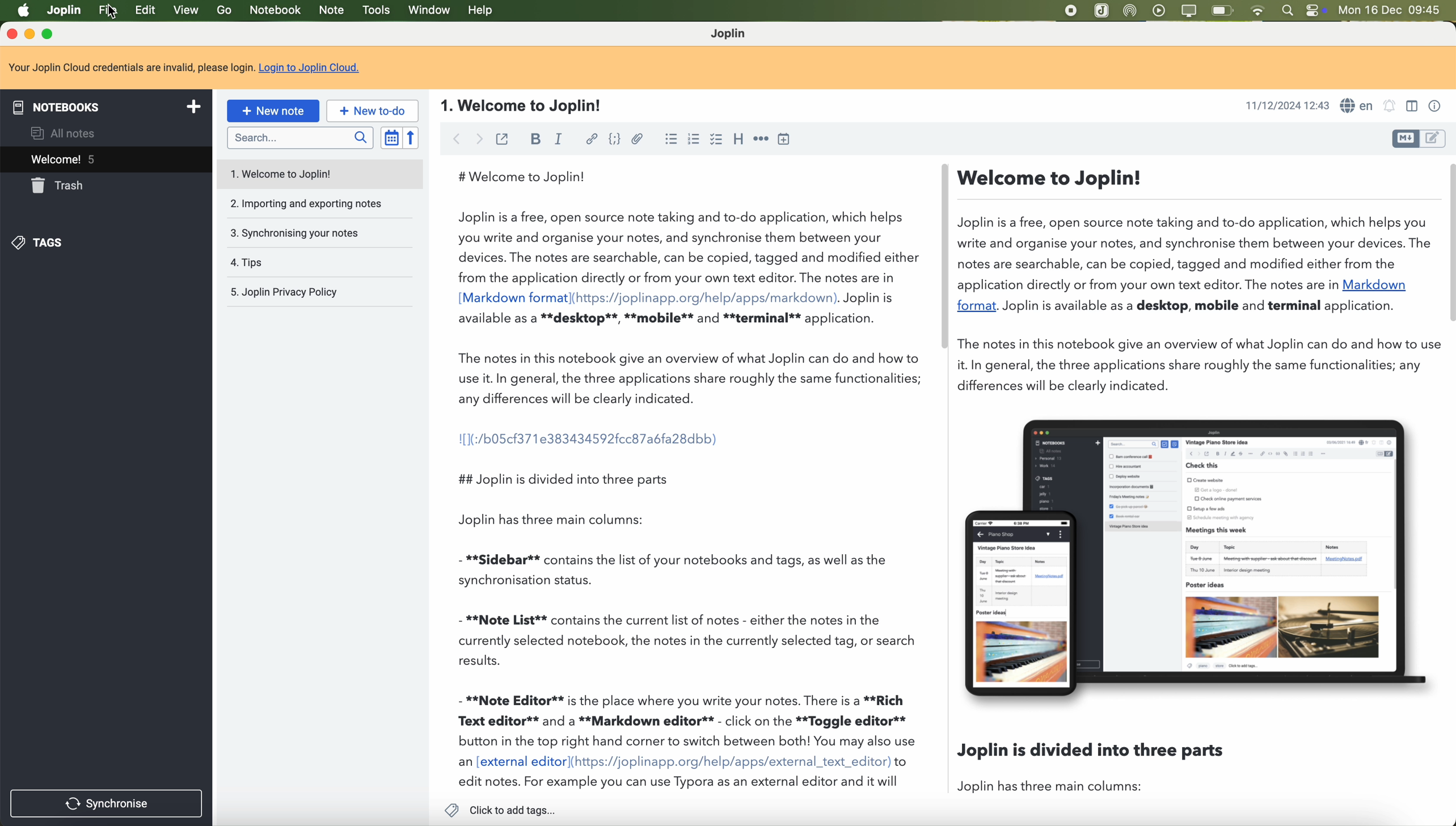  I want to click on minimize, so click(30, 35).